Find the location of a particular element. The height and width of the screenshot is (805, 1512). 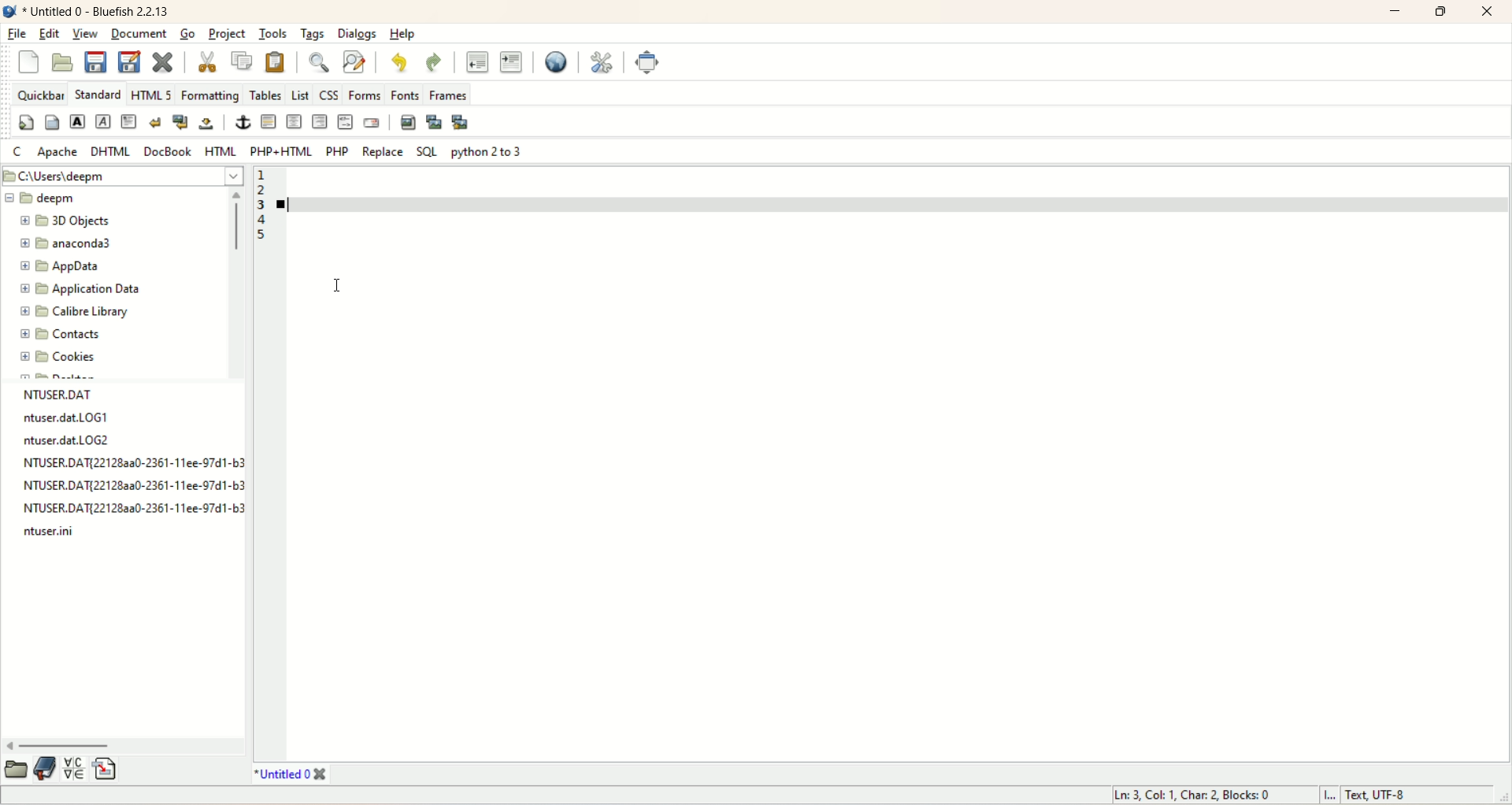

C is located at coordinates (17, 153).